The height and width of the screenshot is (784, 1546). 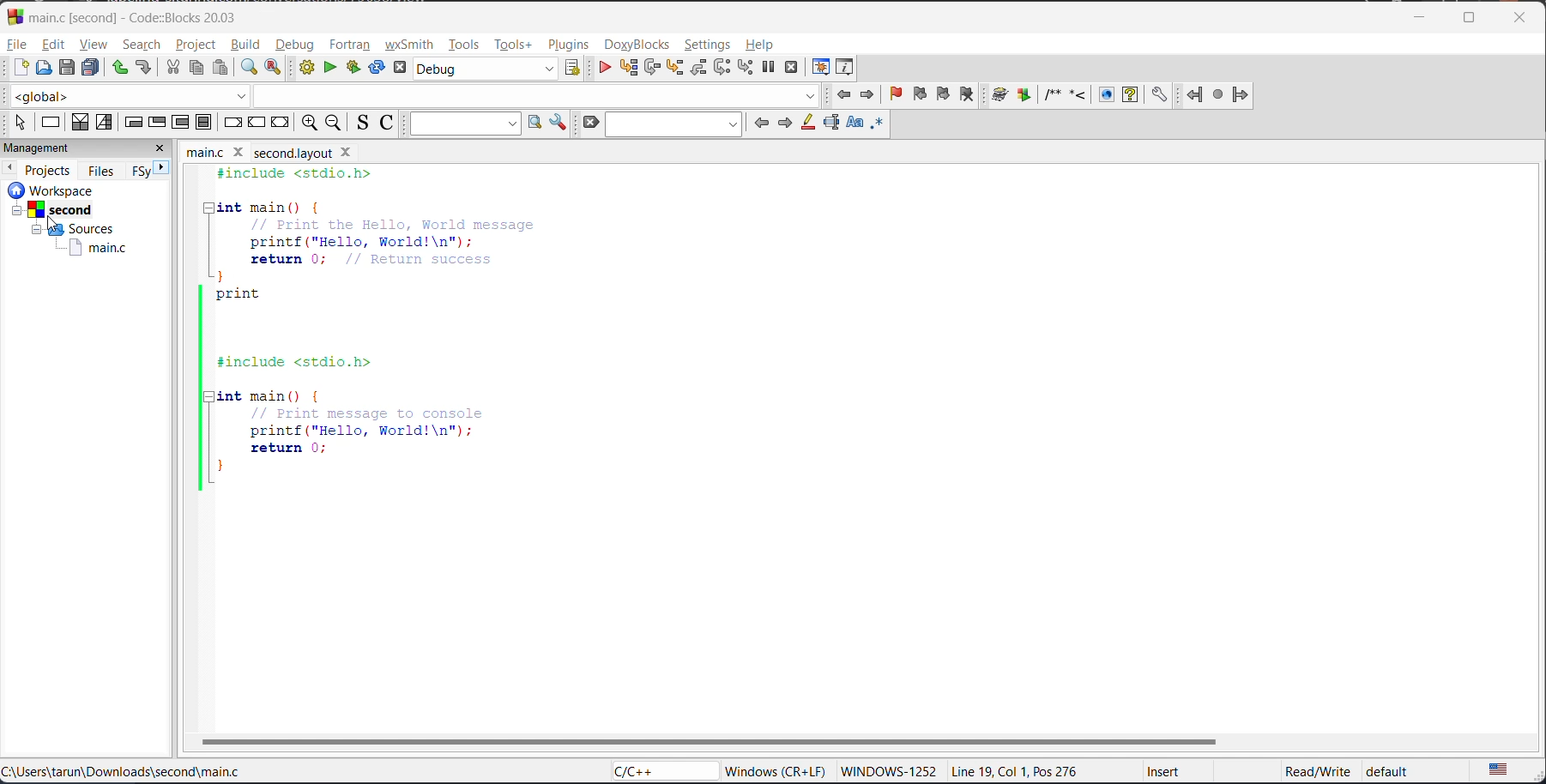 What do you see at coordinates (819, 69) in the screenshot?
I see `debugging windows` at bounding box center [819, 69].